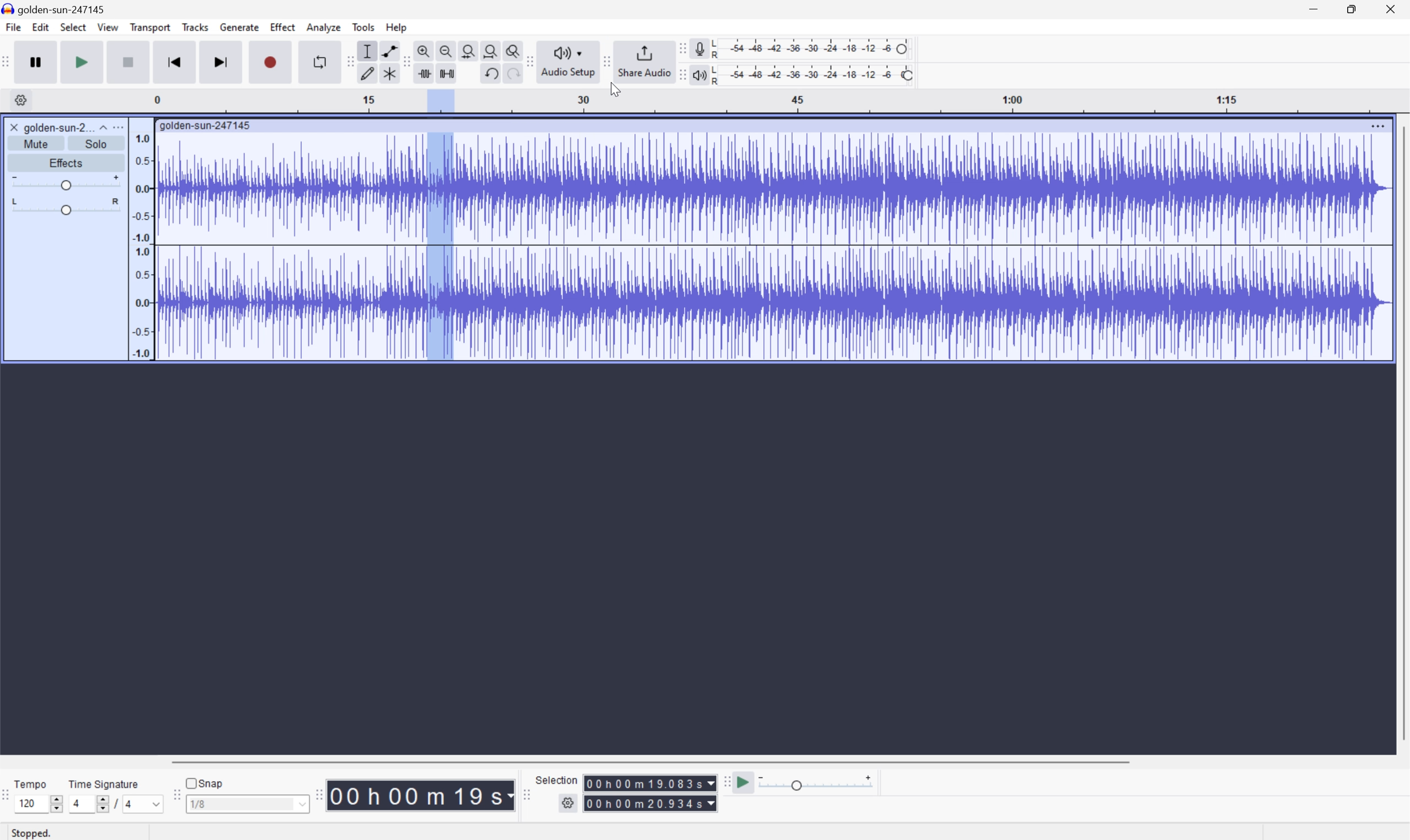 This screenshot has height=840, width=1410. Describe the element at coordinates (493, 50) in the screenshot. I see `Fit project to width` at that location.